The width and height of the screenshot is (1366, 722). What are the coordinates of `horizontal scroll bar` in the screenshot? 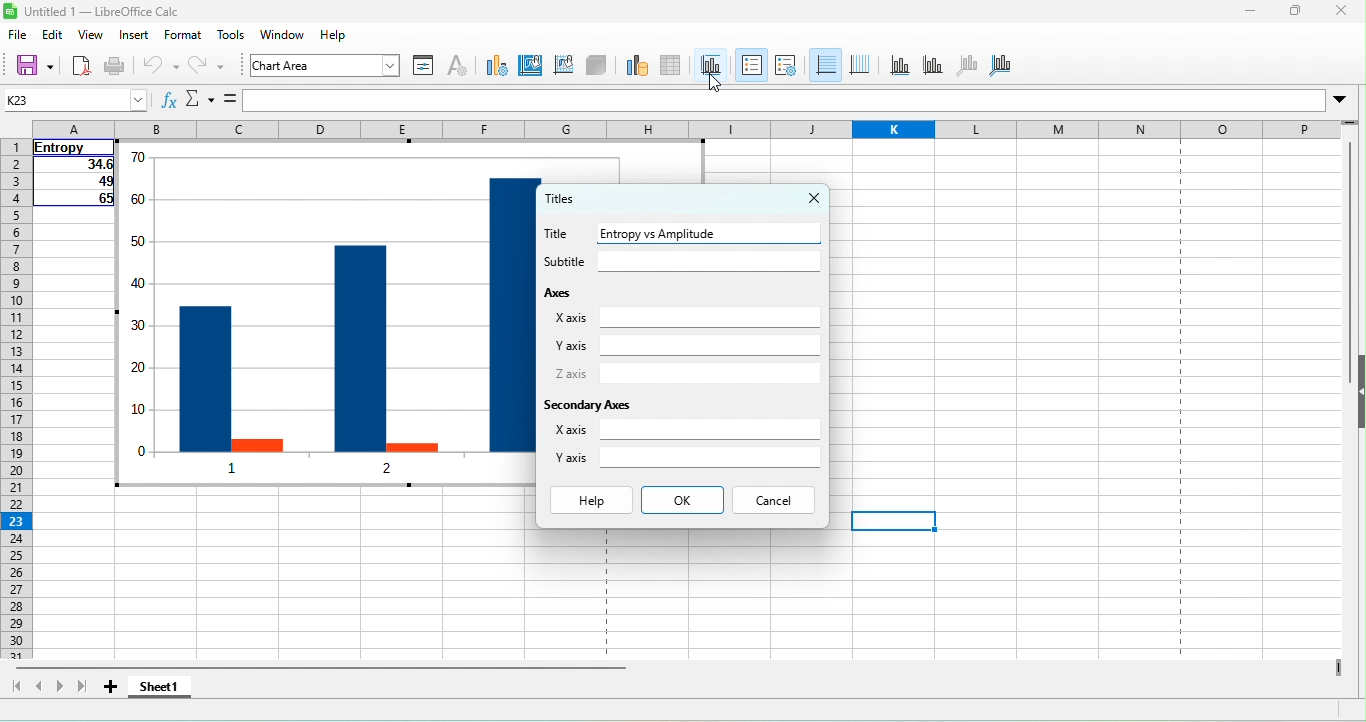 It's located at (323, 667).